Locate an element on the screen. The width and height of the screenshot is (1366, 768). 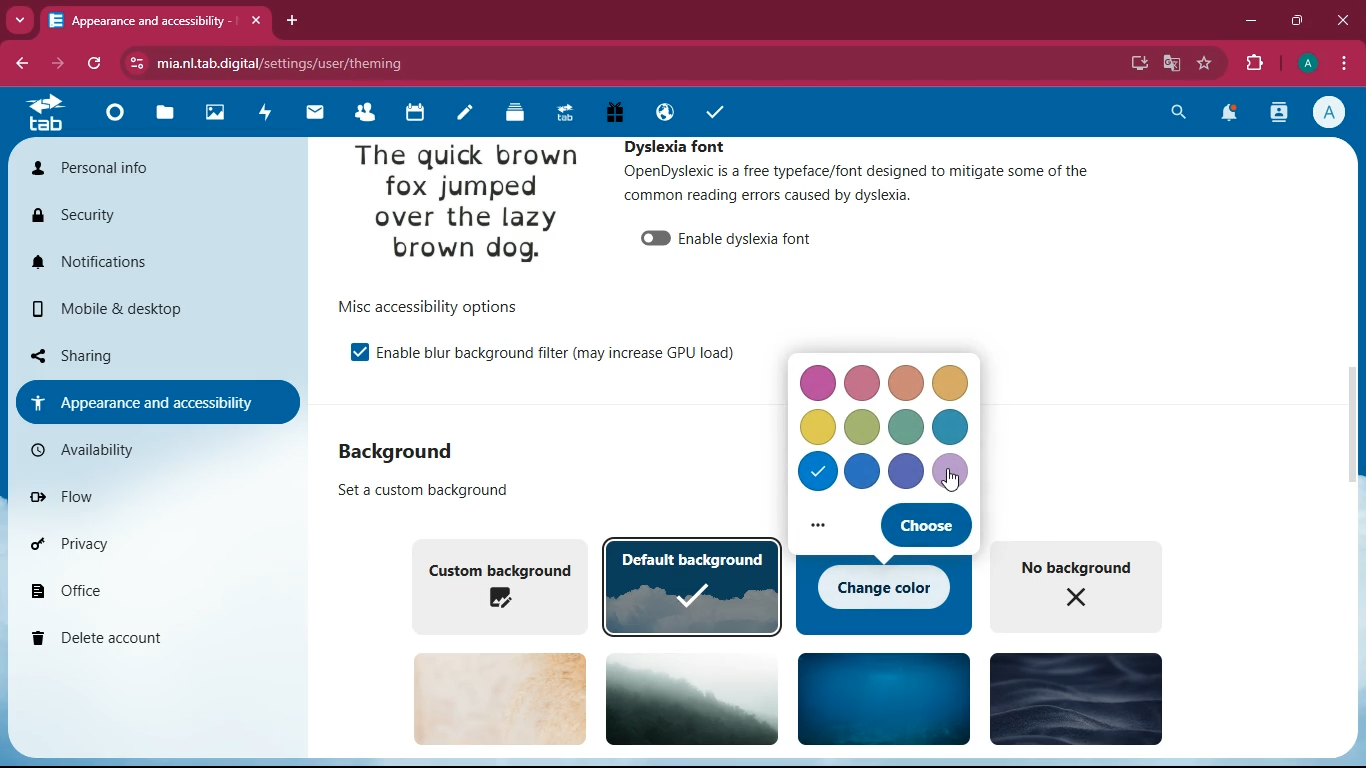
personal info is located at coordinates (128, 168).